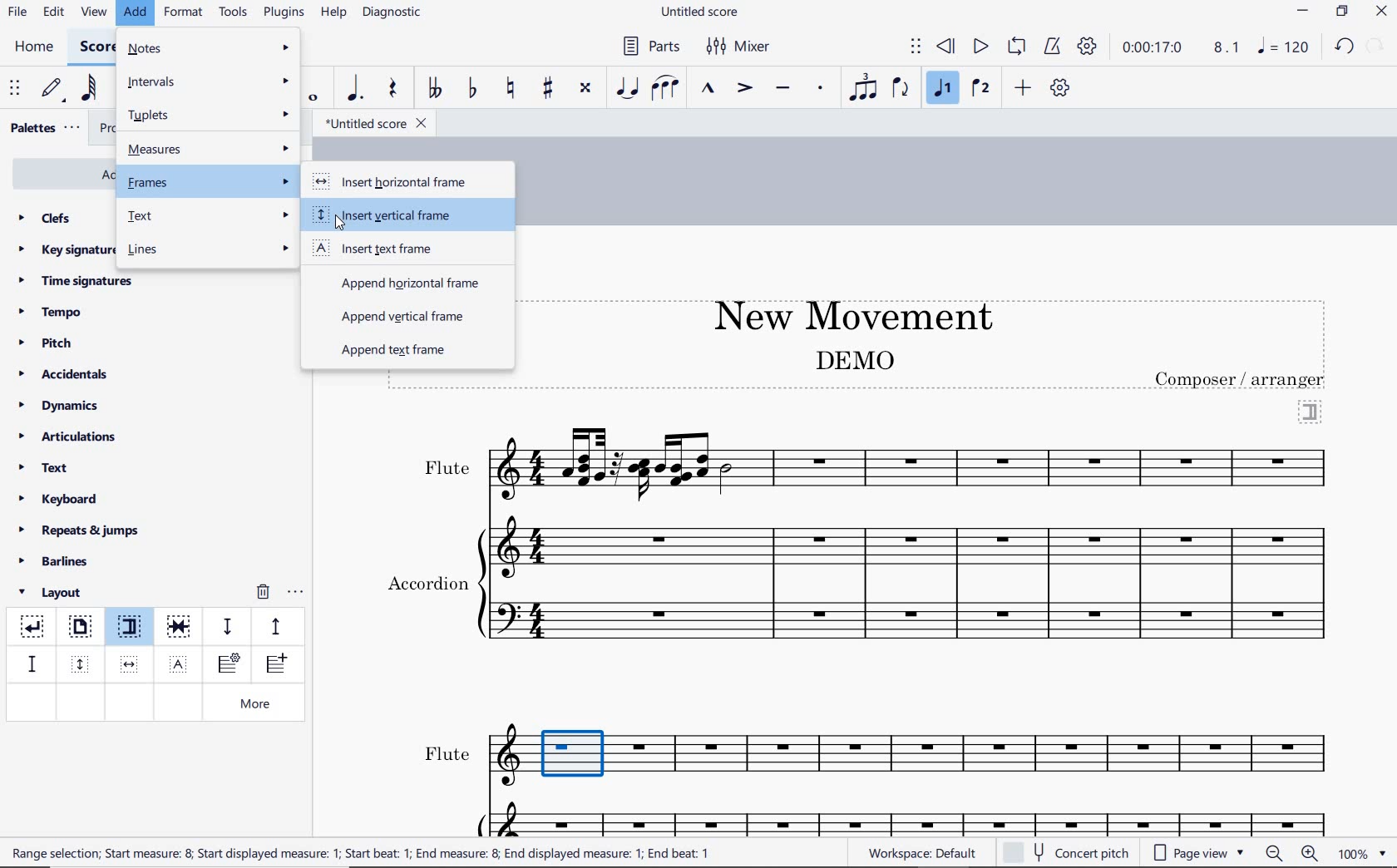 This screenshot has width=1397, height=868. What do you see at coordinates (394, 14) in the screenshot?
I see `diagnostic` at bounding box center [394, 14].